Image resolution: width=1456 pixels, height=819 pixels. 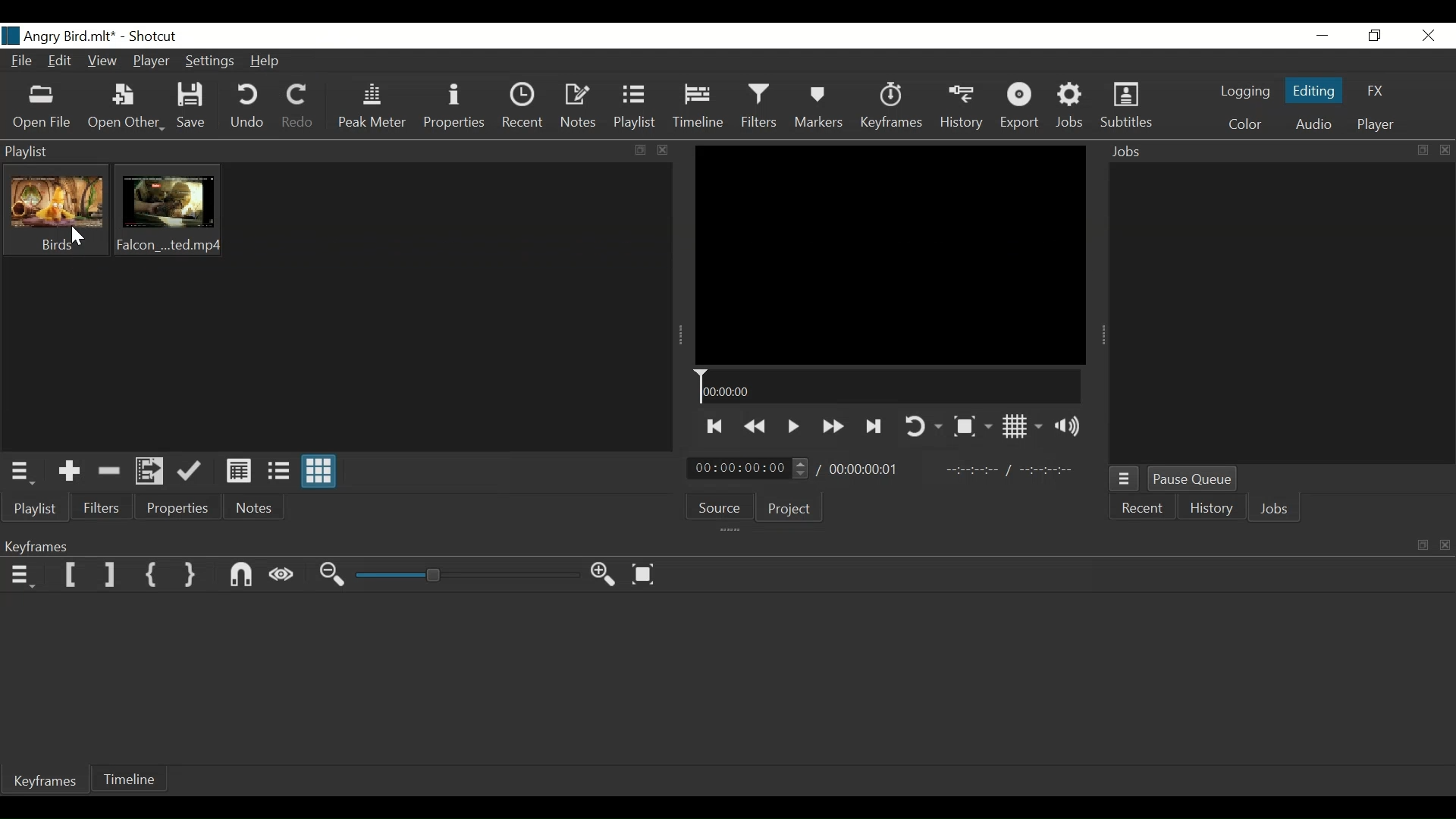 I want to click on Properties, so click(x=175, y=507).